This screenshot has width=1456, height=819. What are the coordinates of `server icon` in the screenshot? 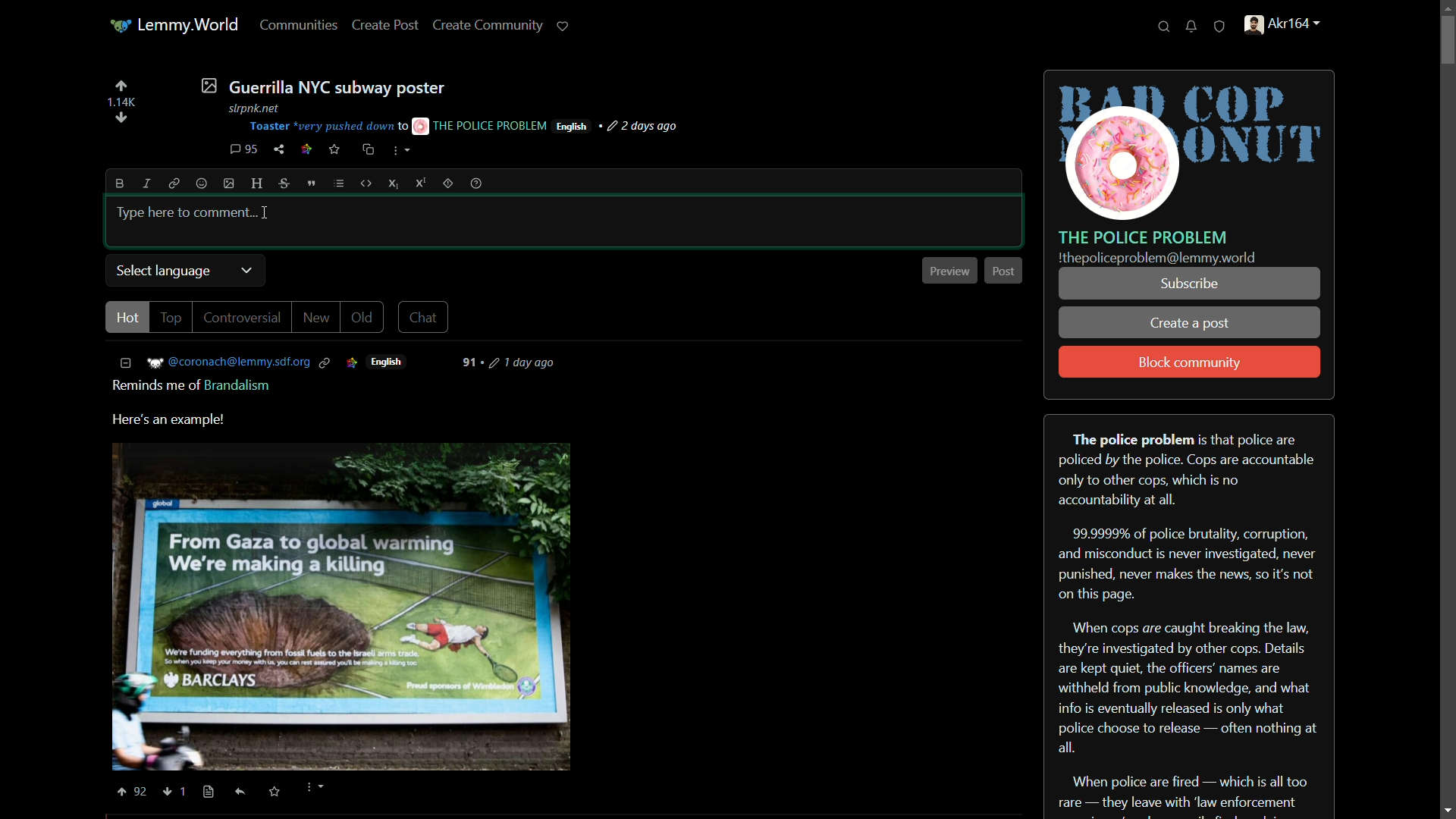 It's located at (1191, 146).